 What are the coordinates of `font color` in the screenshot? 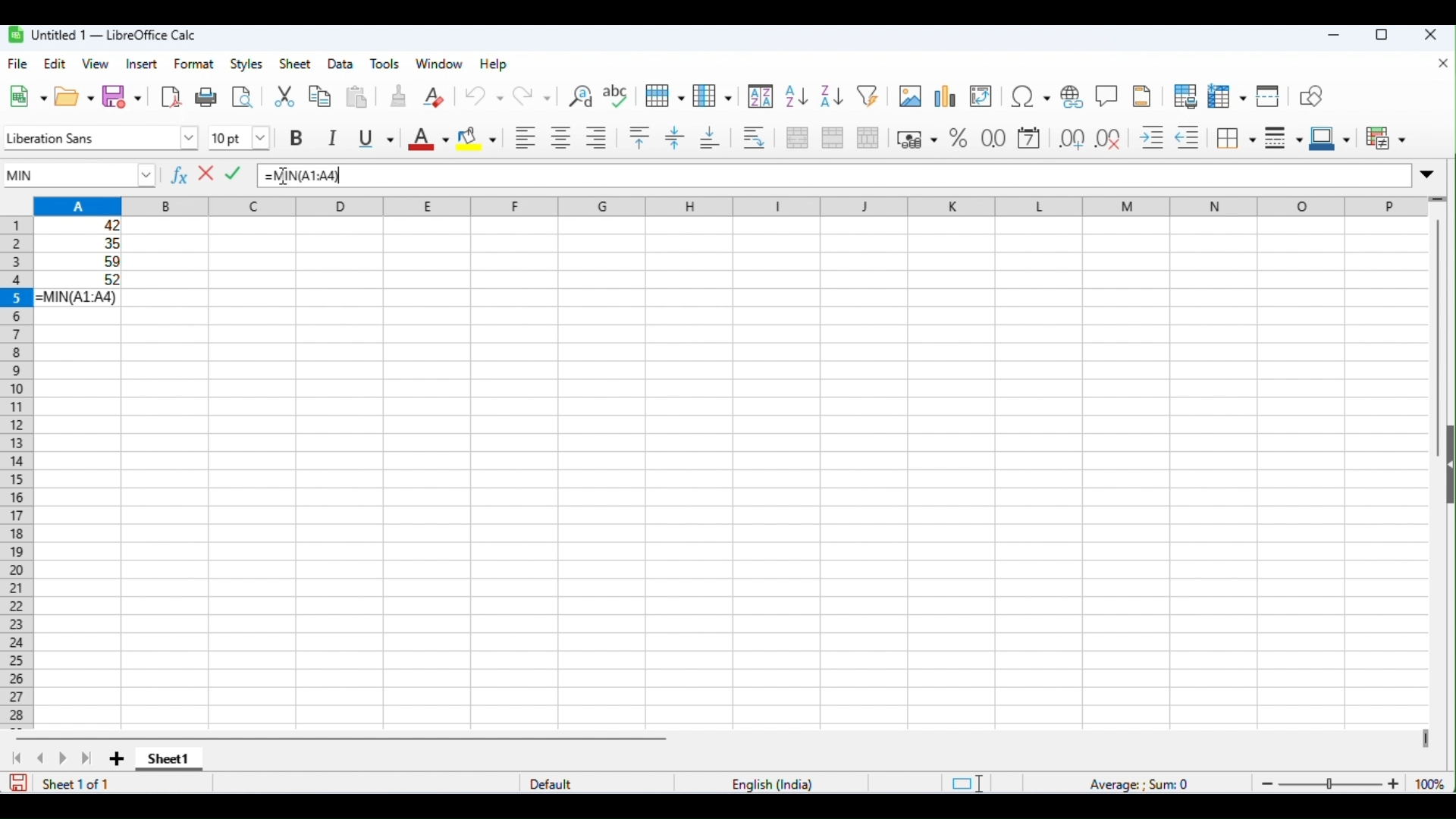 It's located at (428, 137).